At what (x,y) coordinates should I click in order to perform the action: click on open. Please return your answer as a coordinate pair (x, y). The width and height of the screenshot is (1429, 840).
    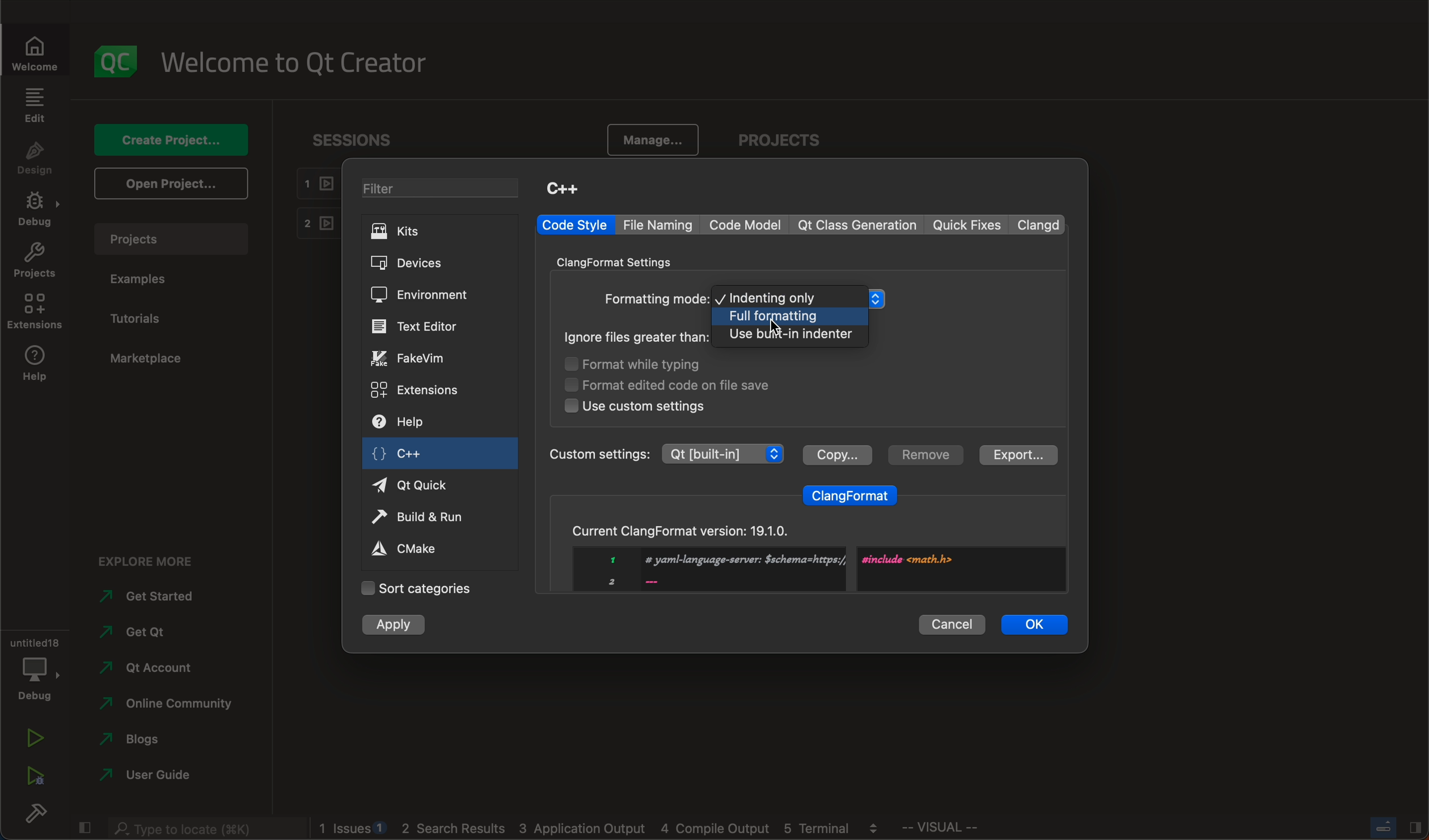
    Looking at the image, I should click on (168, 183).